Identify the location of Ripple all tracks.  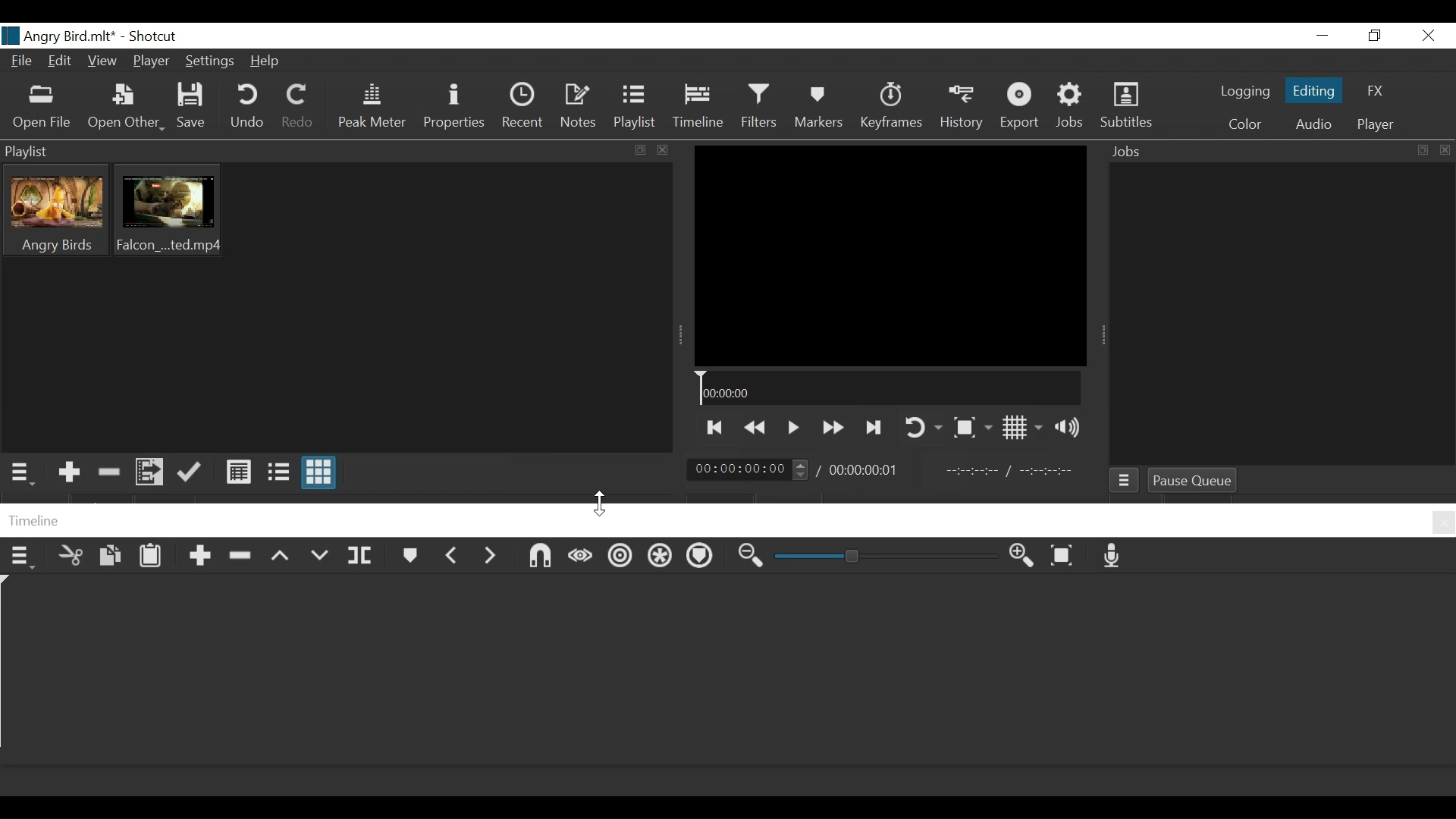
(661, 558).